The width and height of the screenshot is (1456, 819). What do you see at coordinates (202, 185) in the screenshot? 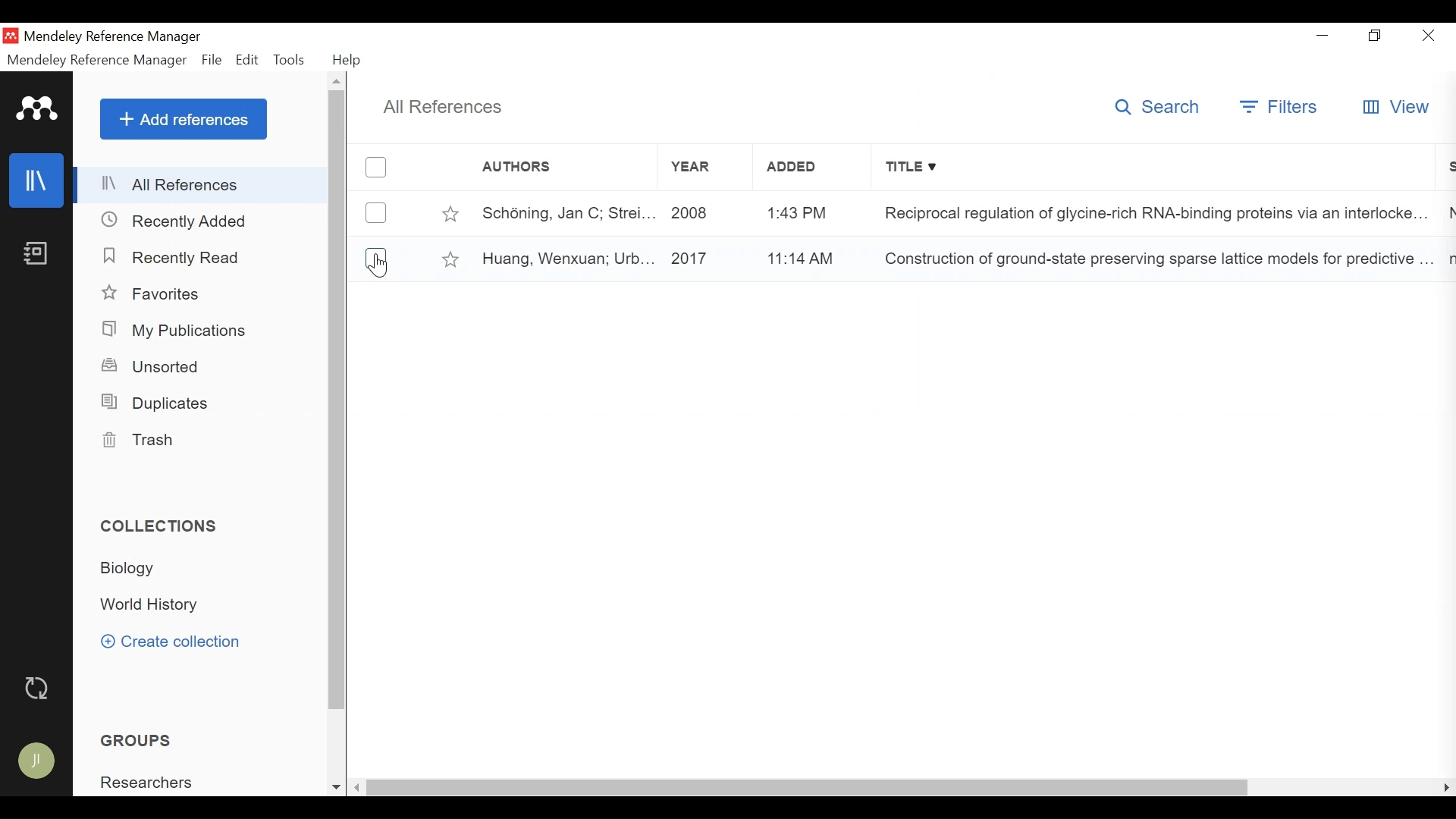
I see `All References` at bounding box center [202, 185].